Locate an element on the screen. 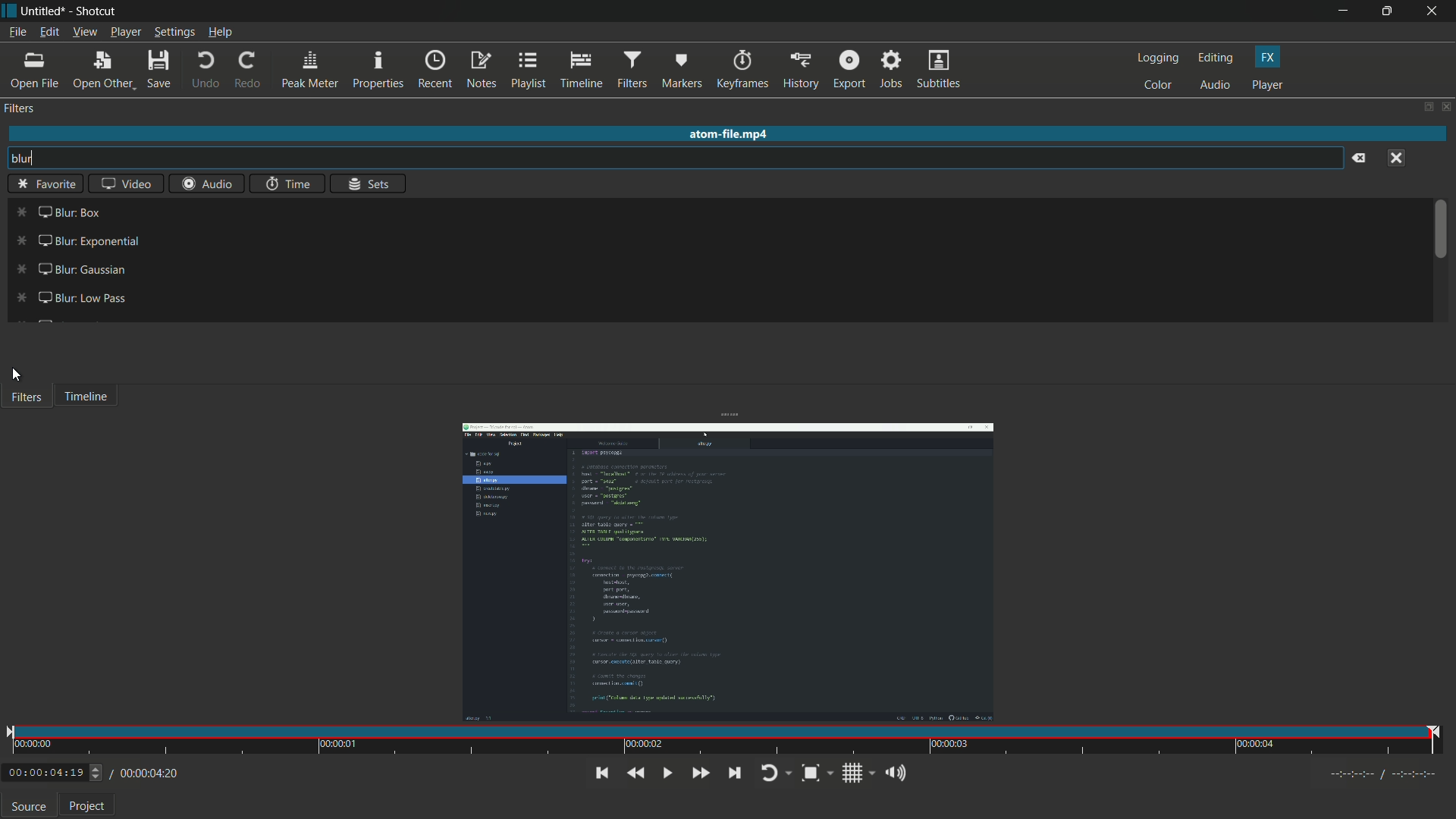  cursor is located at coordinates (17, 375).